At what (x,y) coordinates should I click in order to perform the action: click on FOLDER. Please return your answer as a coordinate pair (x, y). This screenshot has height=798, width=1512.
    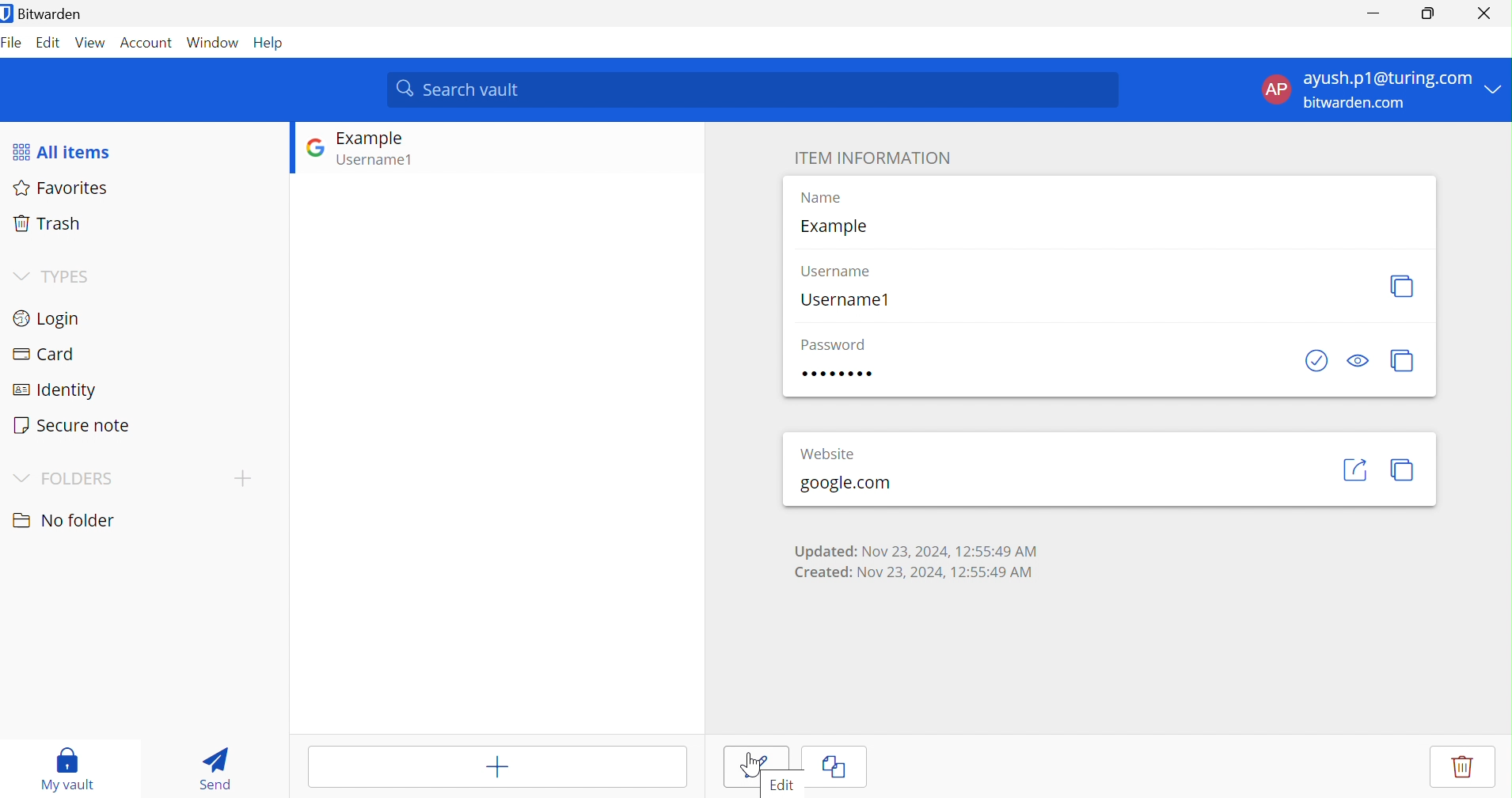
    Looking at the image, I should click on (78, 477).